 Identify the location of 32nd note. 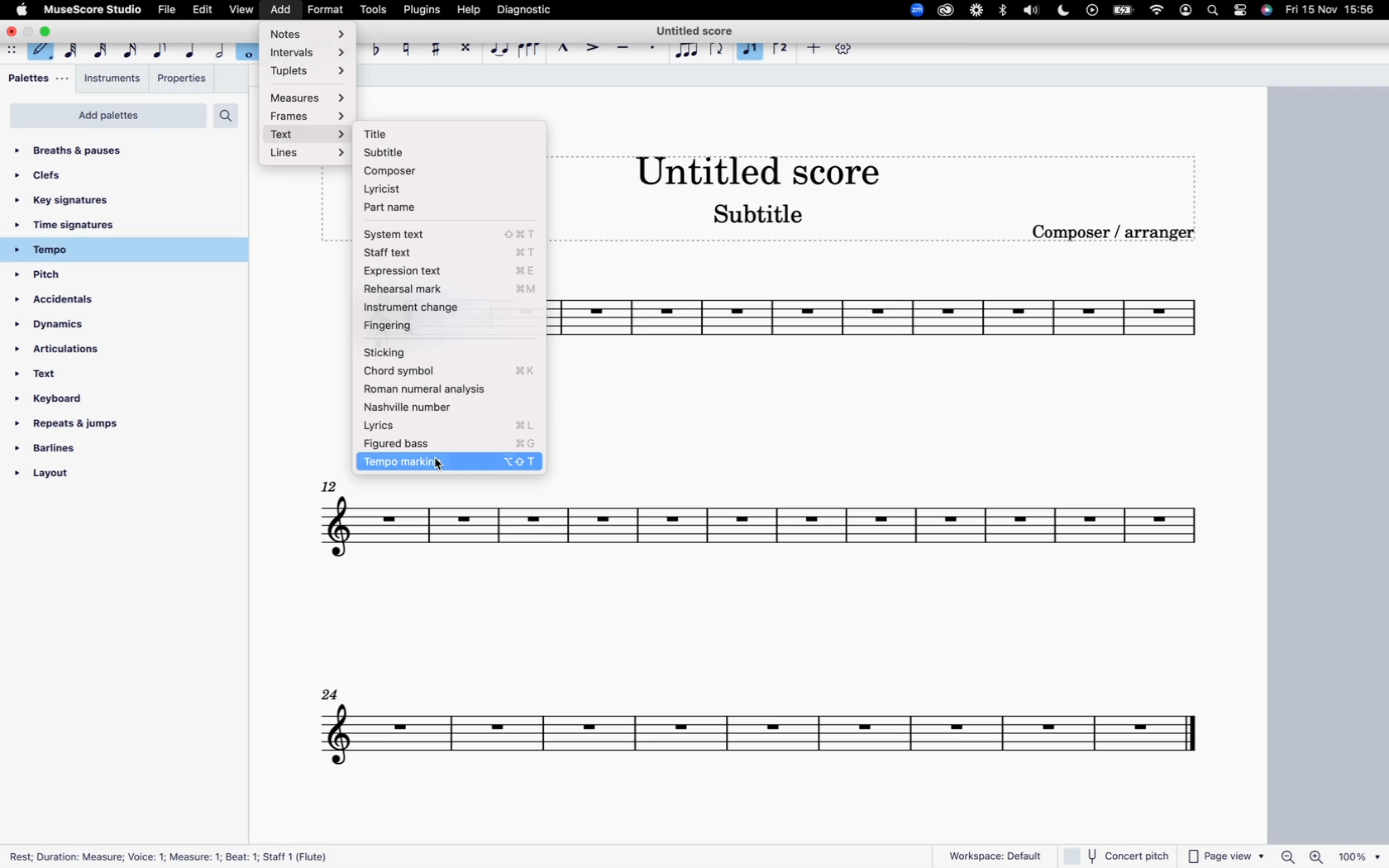
(99, 50).